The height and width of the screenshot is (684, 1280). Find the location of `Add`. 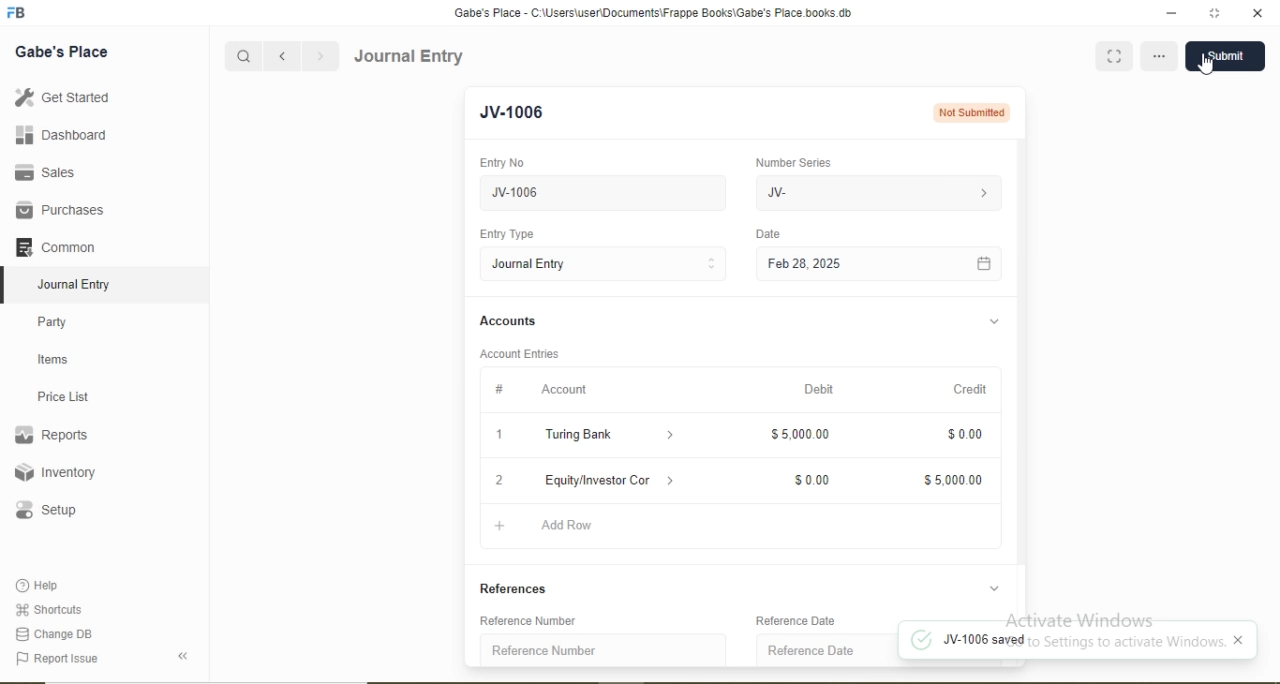

Add is located at coordinates (500, 526).